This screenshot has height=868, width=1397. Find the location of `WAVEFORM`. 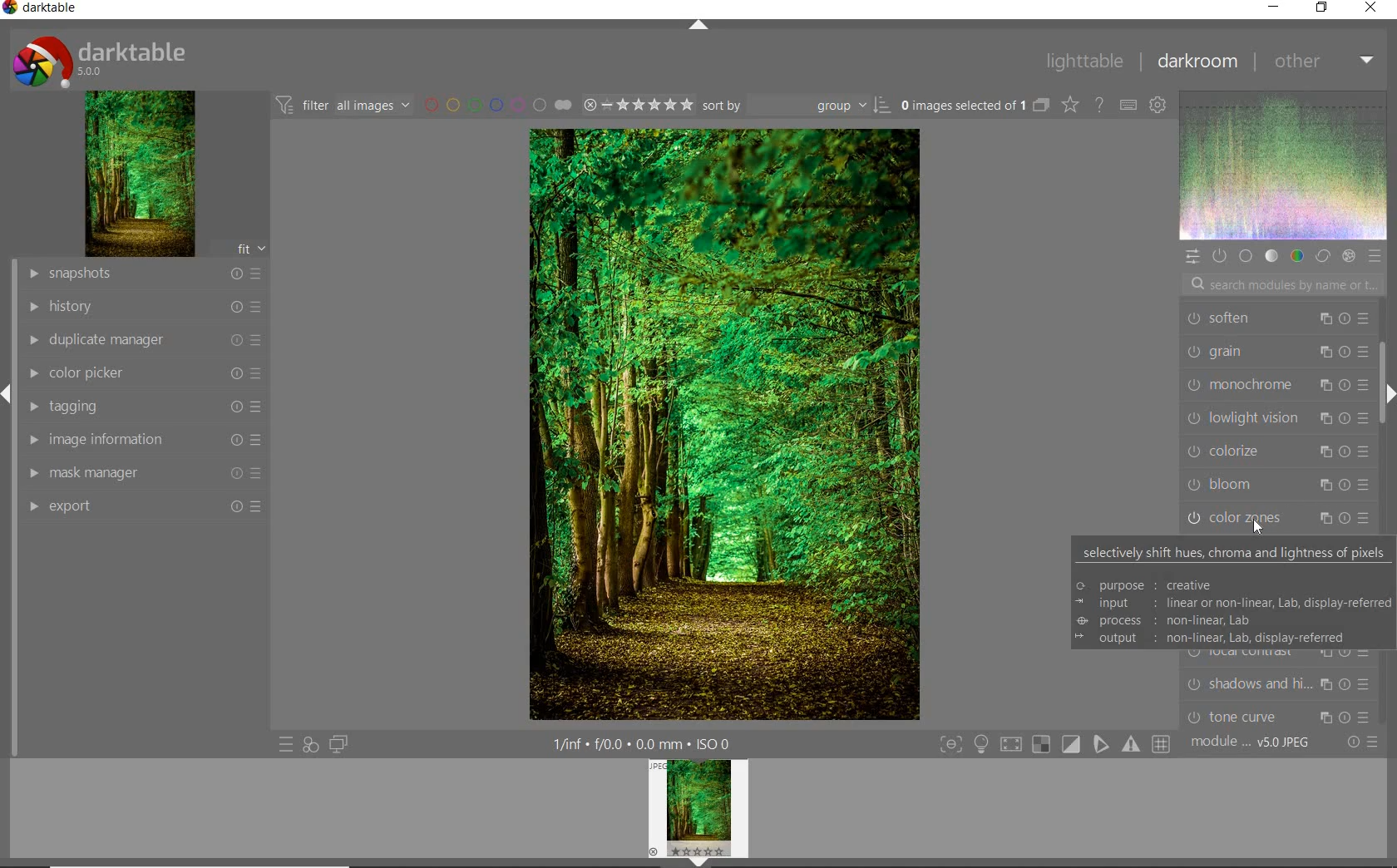

WAVEFORM is located at coordinates (1284, 165).